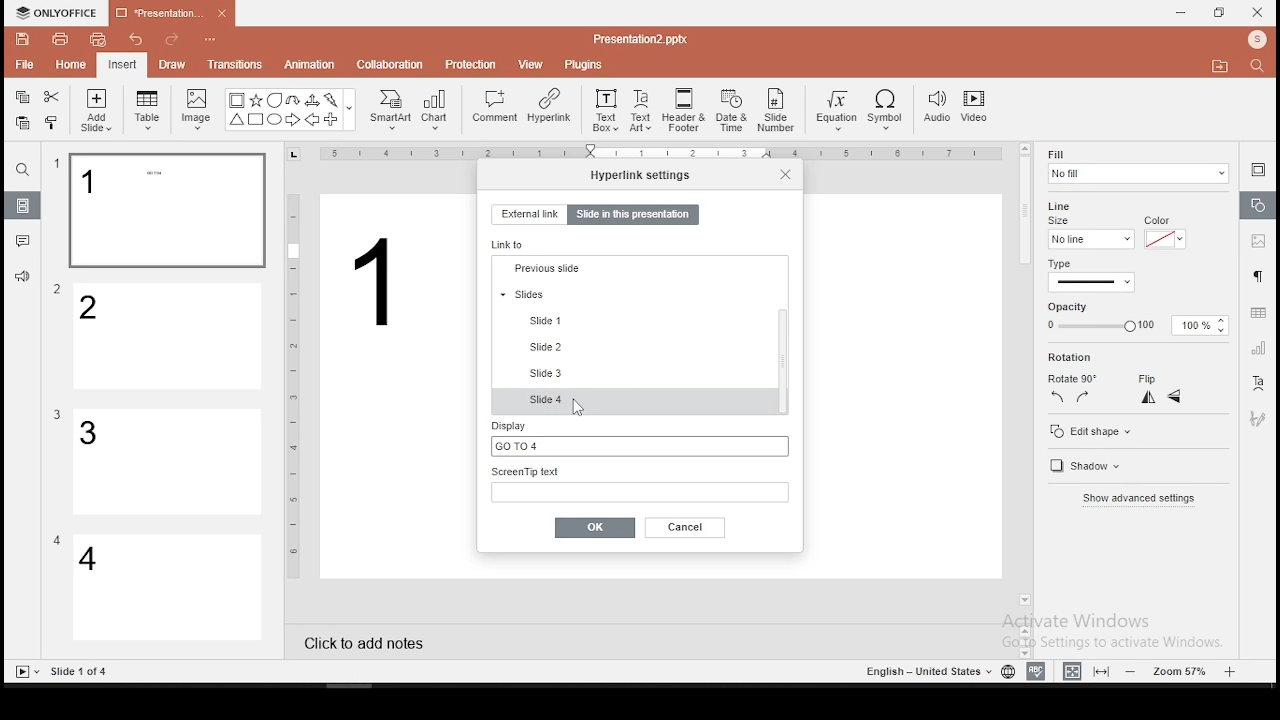 The image size is (1280, 720). What do you see at coordinates (1256, 313) in the screenshot?
I see `table settings` at bounding box center [1256, 313].